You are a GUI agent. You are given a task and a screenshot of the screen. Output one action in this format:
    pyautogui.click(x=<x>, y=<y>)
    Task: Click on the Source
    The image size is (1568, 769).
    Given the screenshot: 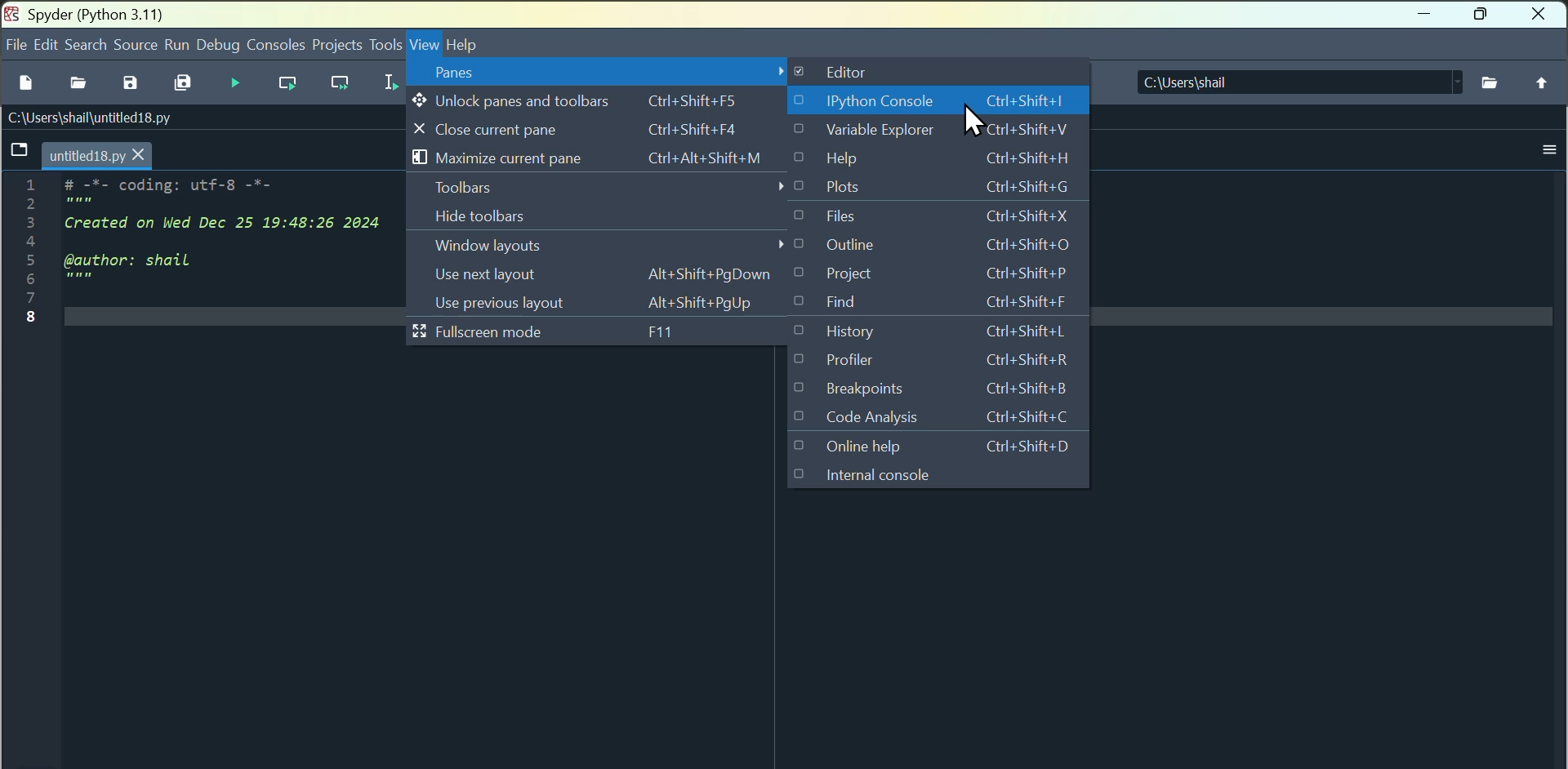 What is the action you would take?
    pyautogui.click(x=136, y=47)
    